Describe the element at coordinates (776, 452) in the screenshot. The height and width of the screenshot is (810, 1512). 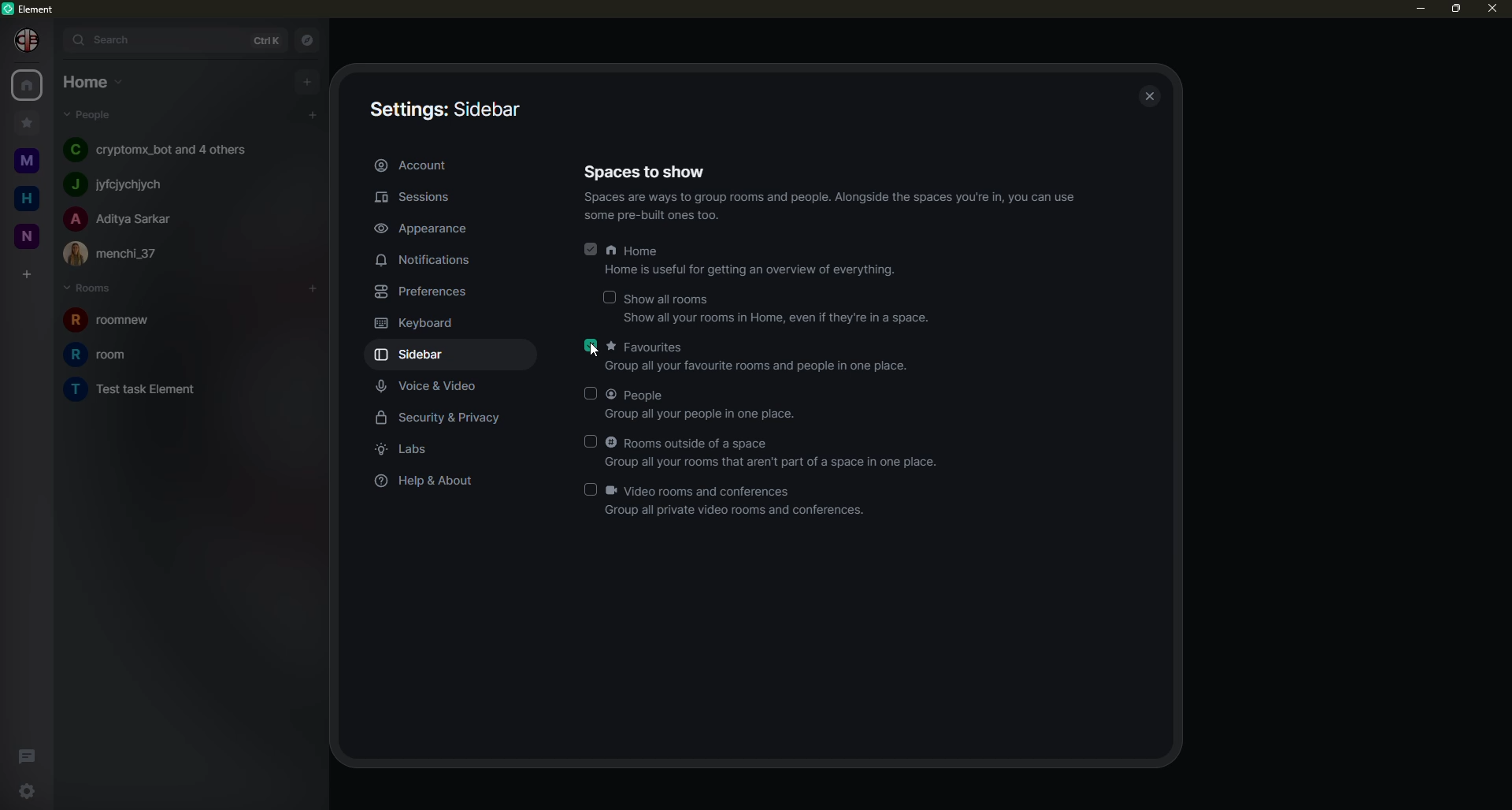
I see `rooms outside of a space` at that location.